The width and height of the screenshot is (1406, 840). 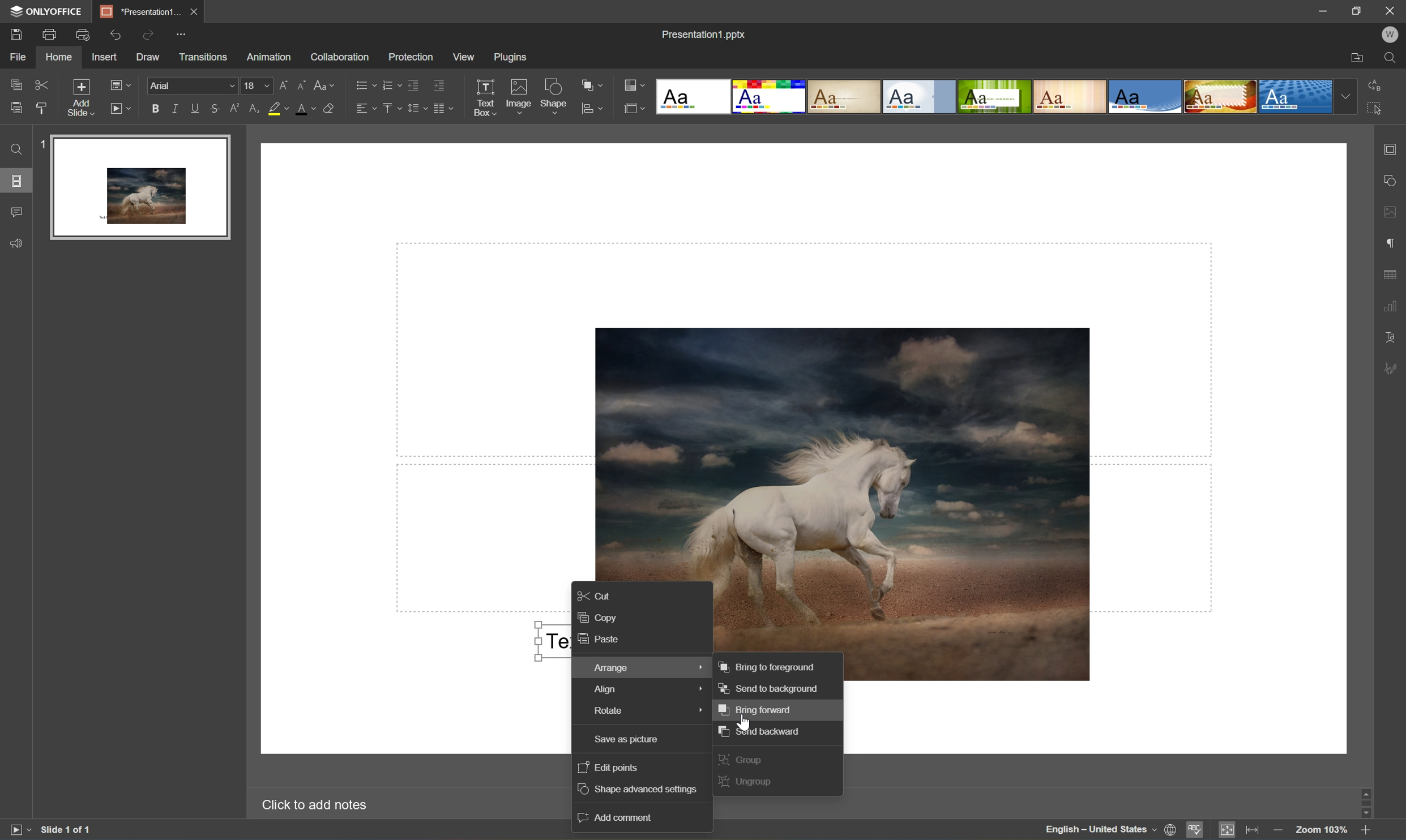 I want to click on Image settings, so click(x=1394, y=213).